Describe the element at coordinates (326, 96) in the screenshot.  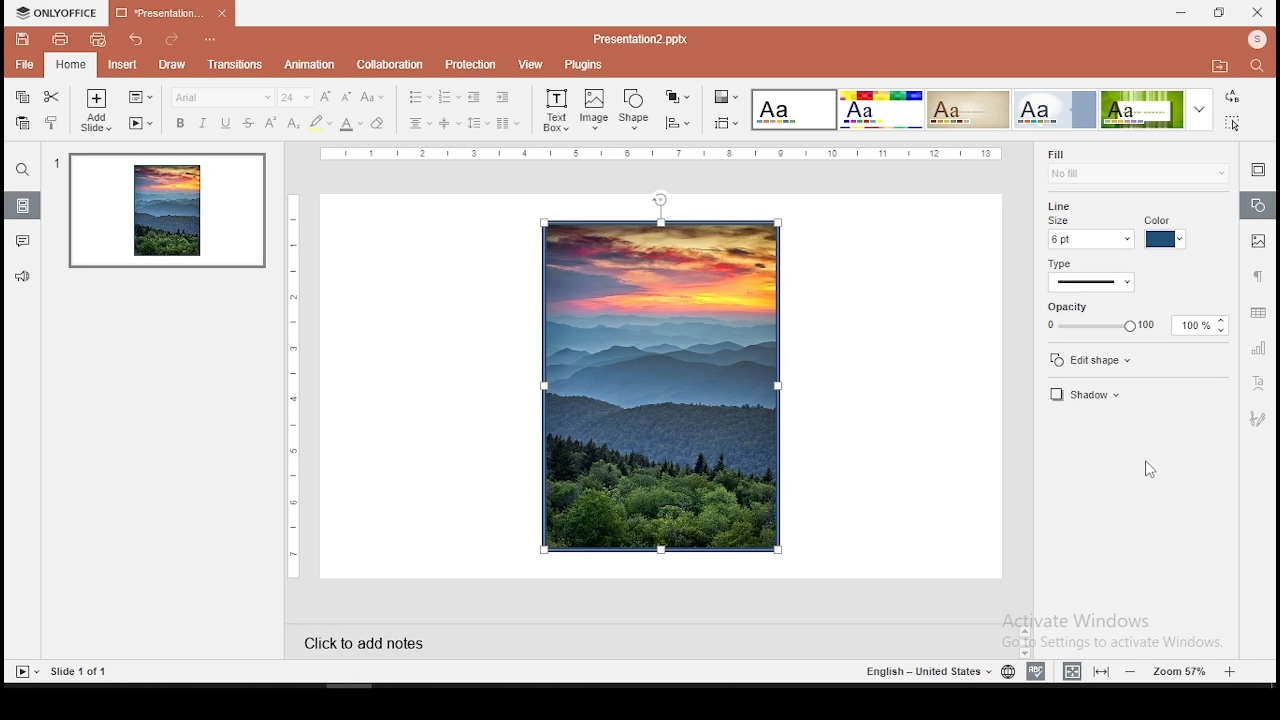
I see `increase font size` at that location.